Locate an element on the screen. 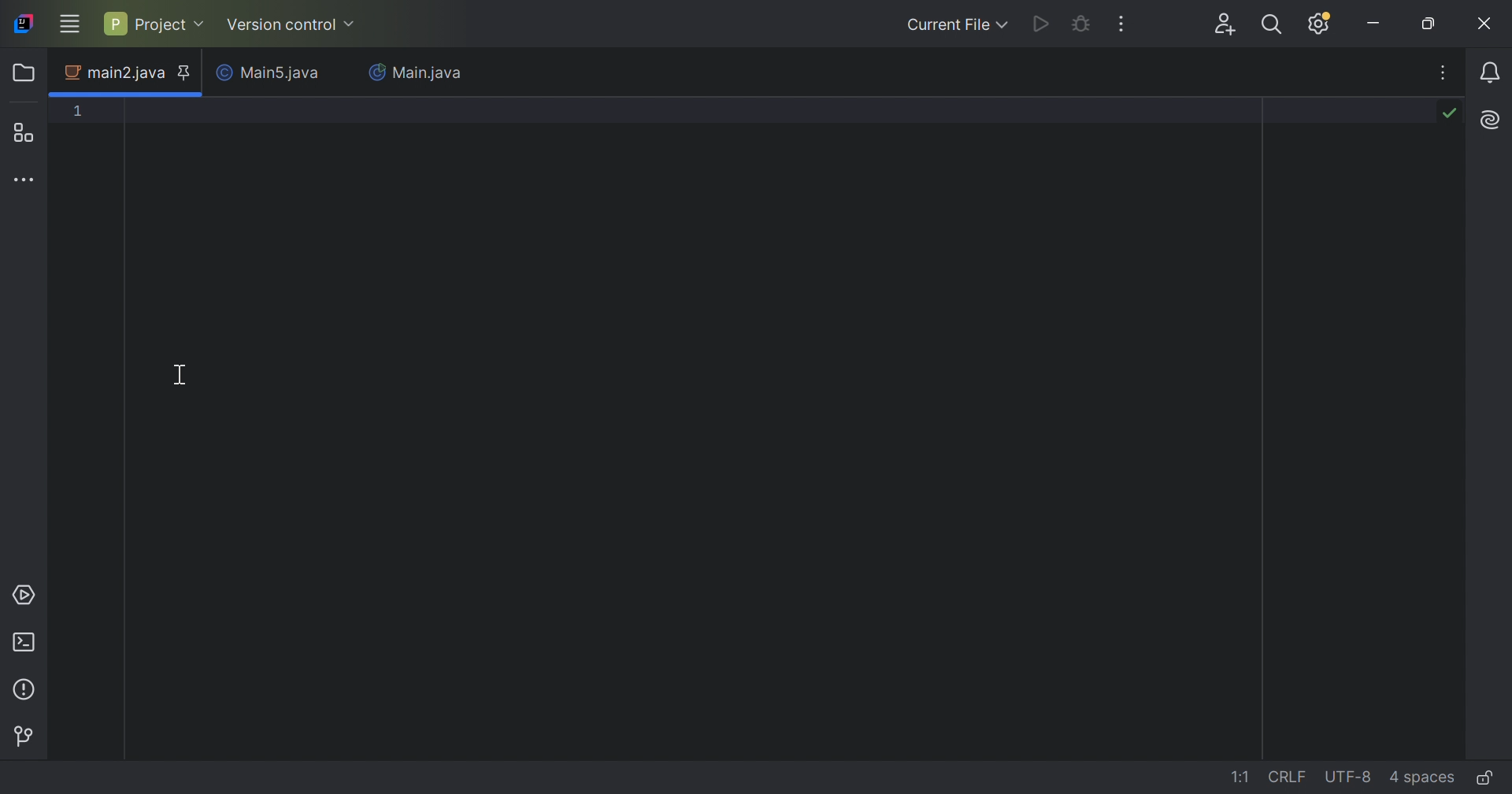 The image size is (1512, 794). Main5.java is located at coordinates (272, 74).